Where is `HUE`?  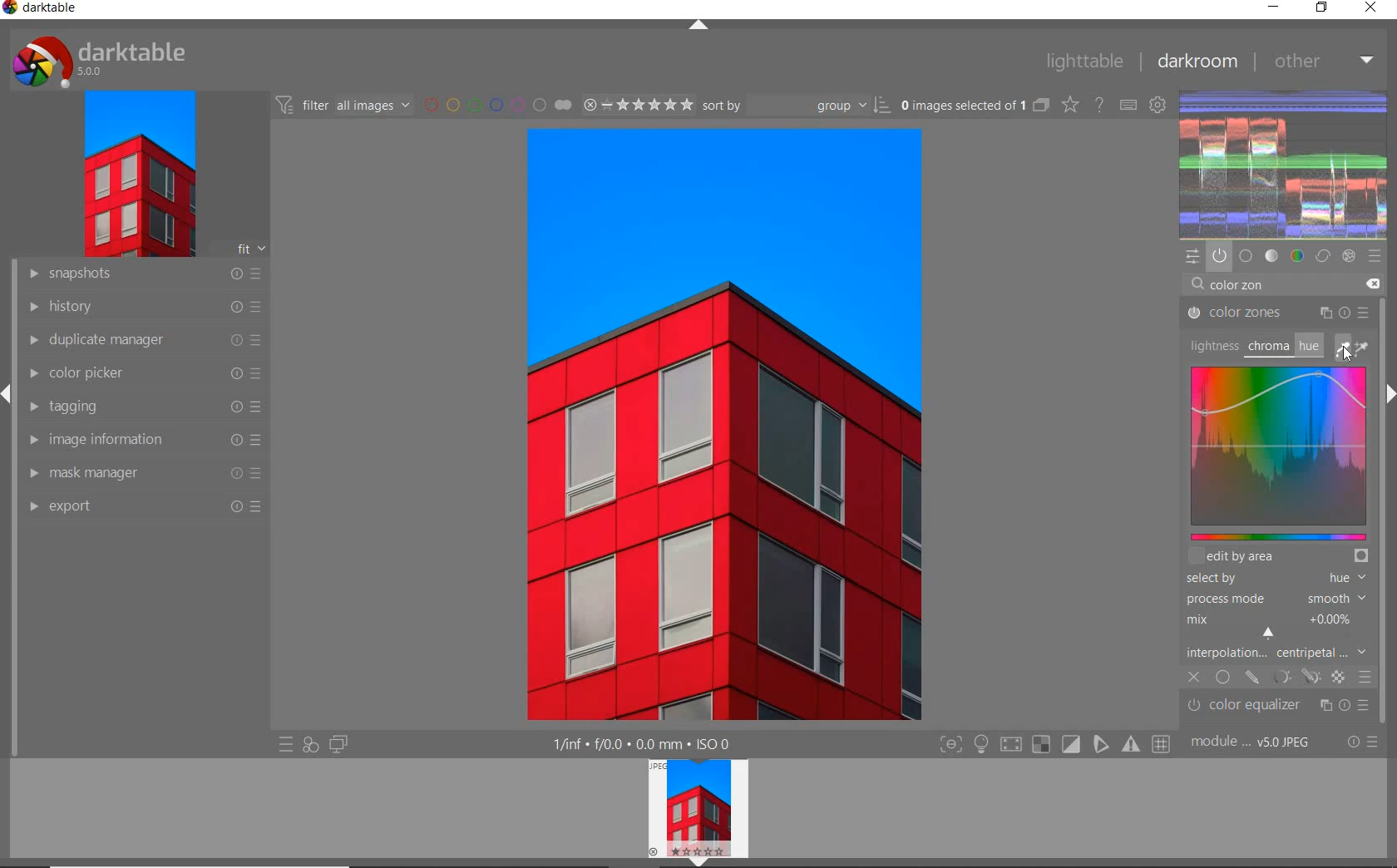 HUE is located at coordinates (1307, 345).